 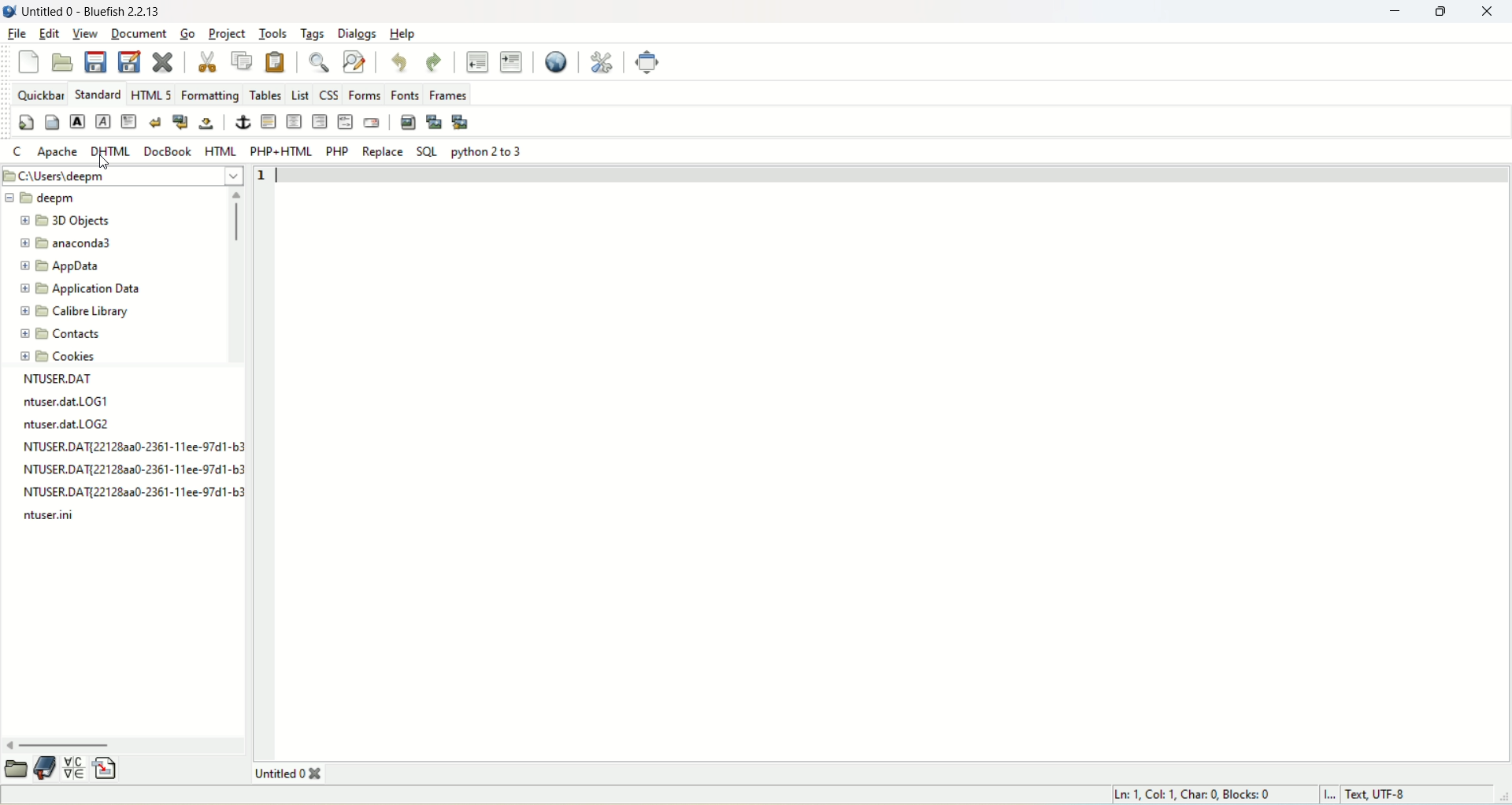 I want to click on paste, so click(x=278, y=60).